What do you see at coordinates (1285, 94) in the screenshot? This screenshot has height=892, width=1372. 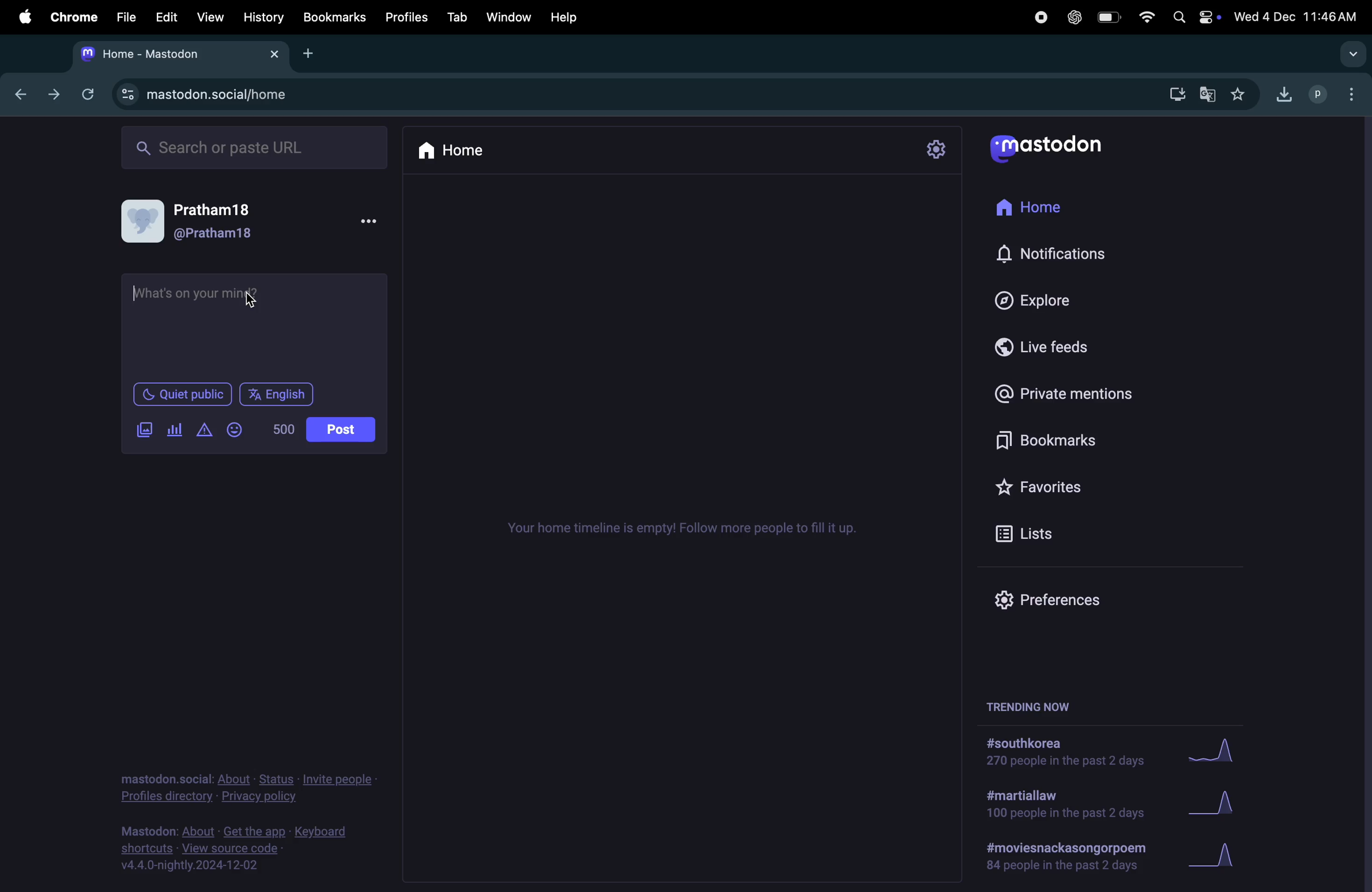 I see `downloads` at bounding box center [1285, 94].